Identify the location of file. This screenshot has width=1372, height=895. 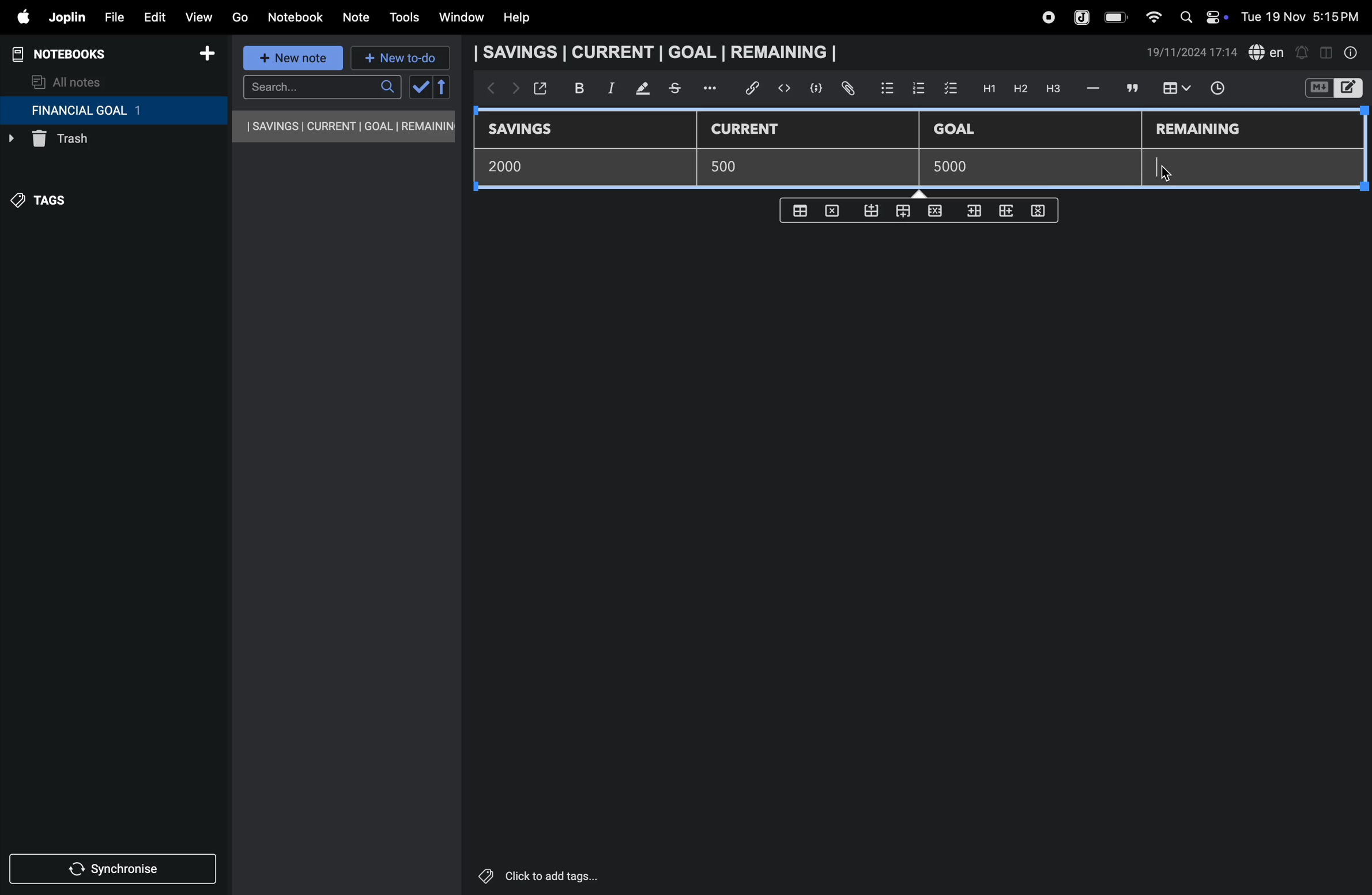
(110, 16).